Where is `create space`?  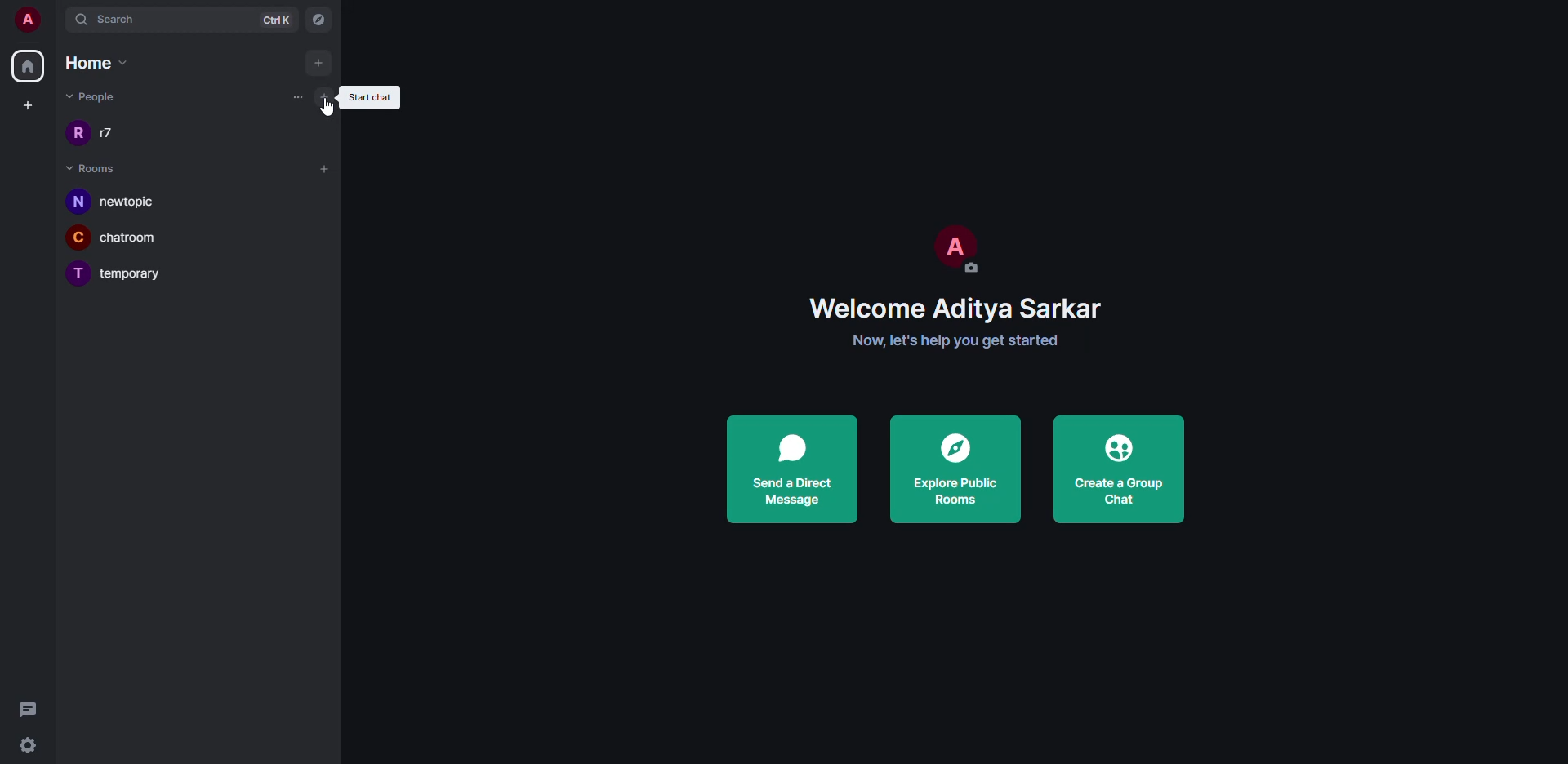 create space is located at coordinates (28, 104).